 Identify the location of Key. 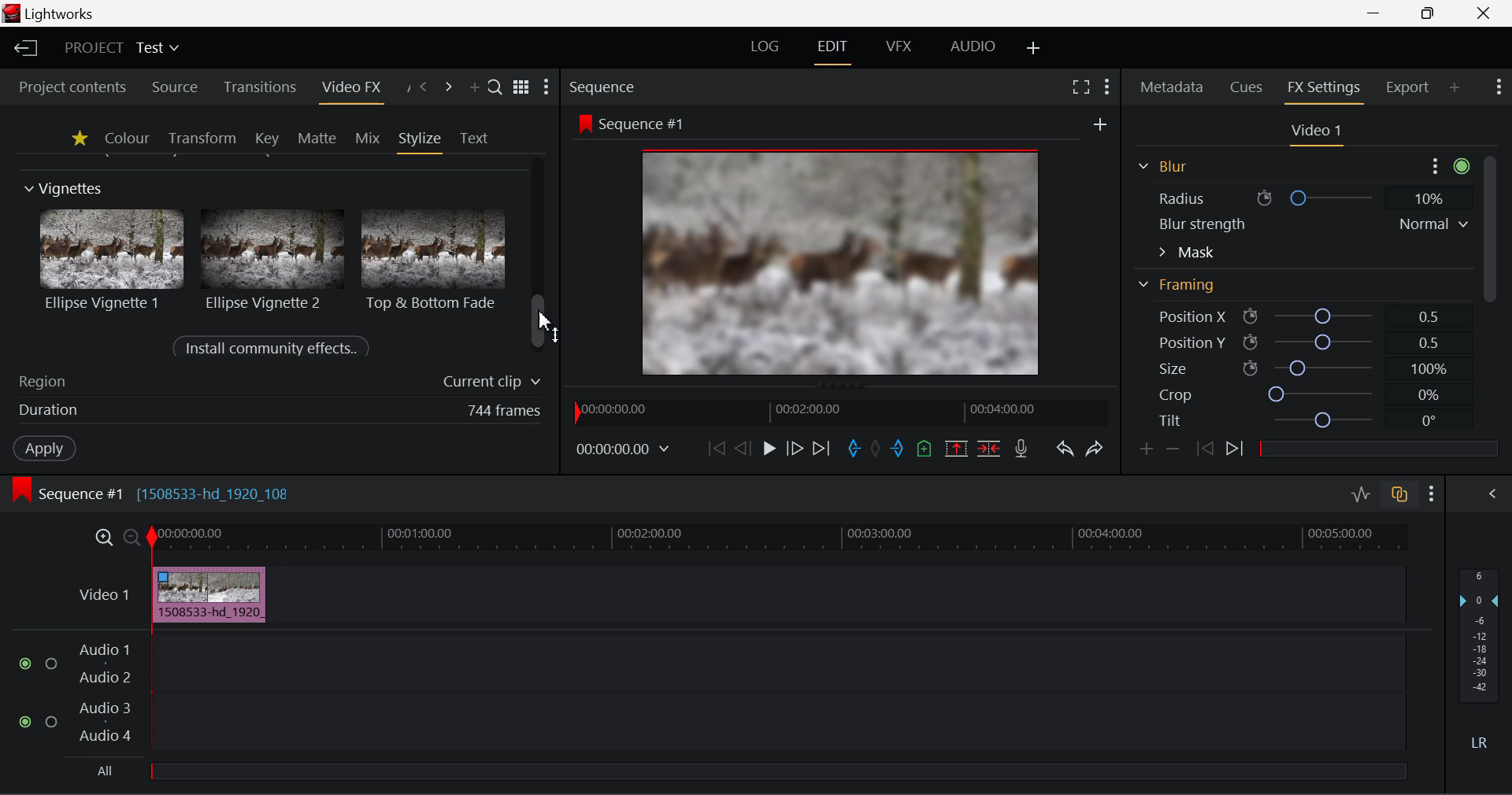
(266, 139).